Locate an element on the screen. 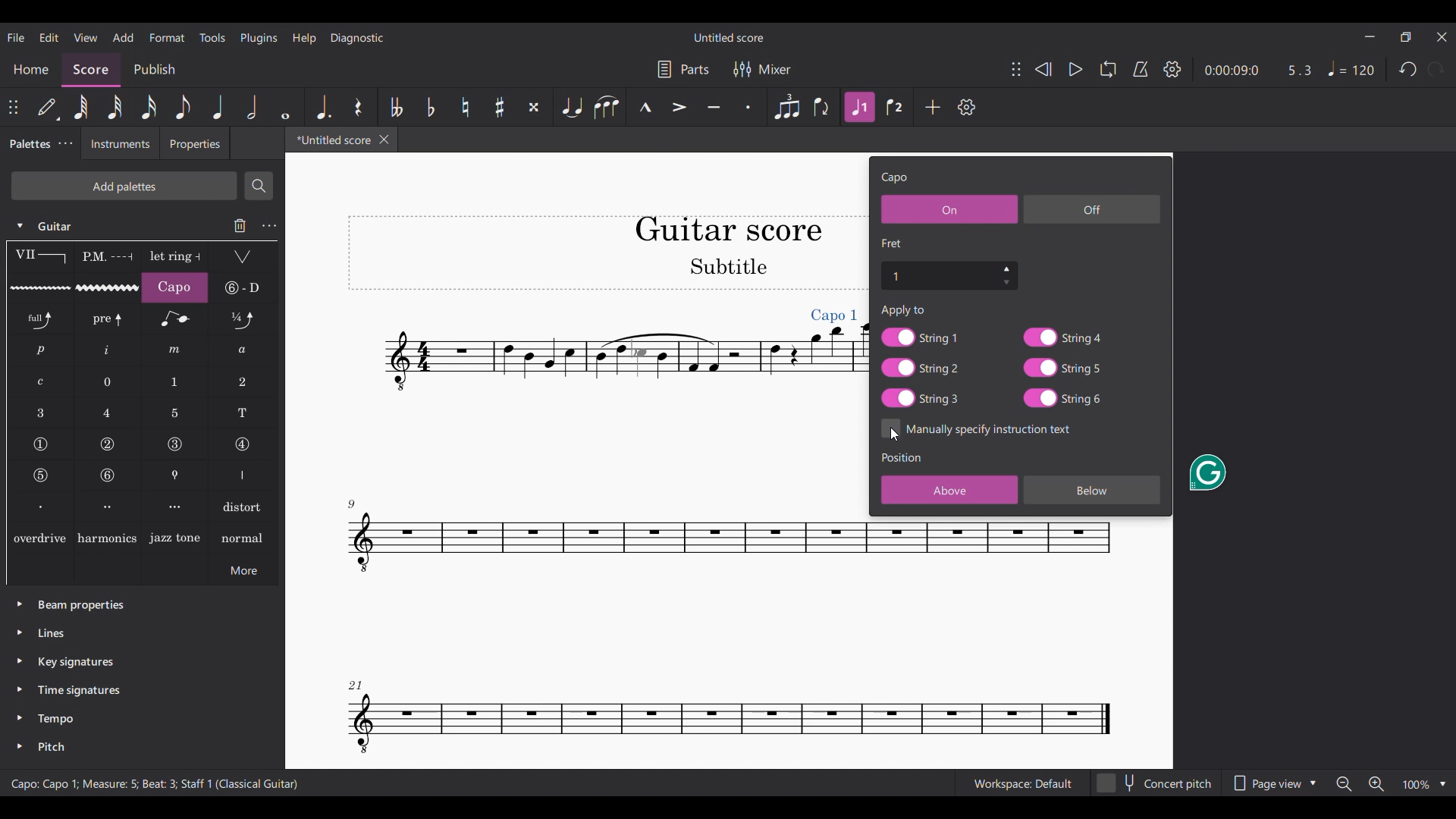  Plugins menu is located at coordinates (259, 39).